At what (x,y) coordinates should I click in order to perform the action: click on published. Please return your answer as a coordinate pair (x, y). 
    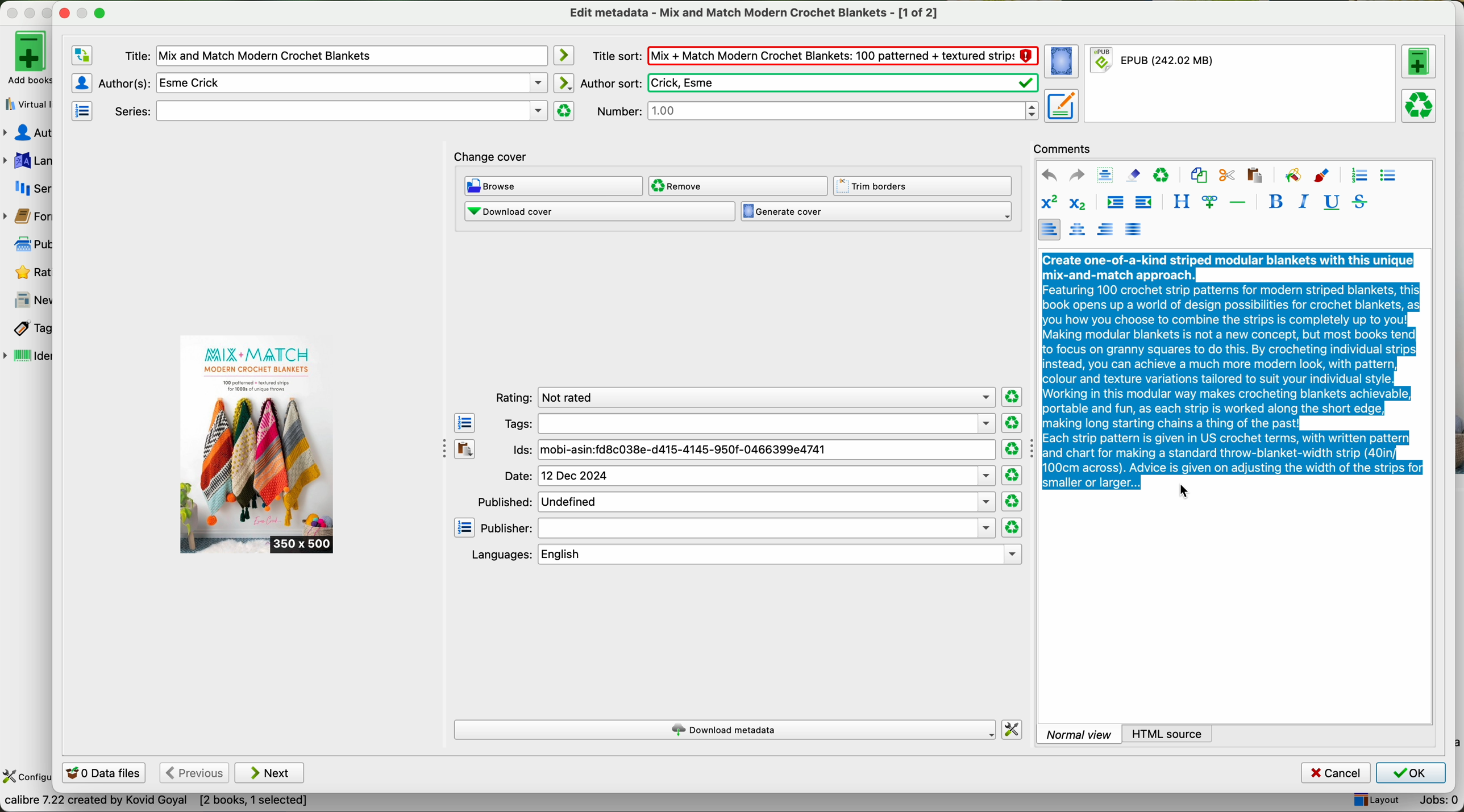
    Looking at the image, I should click on (735, 501).